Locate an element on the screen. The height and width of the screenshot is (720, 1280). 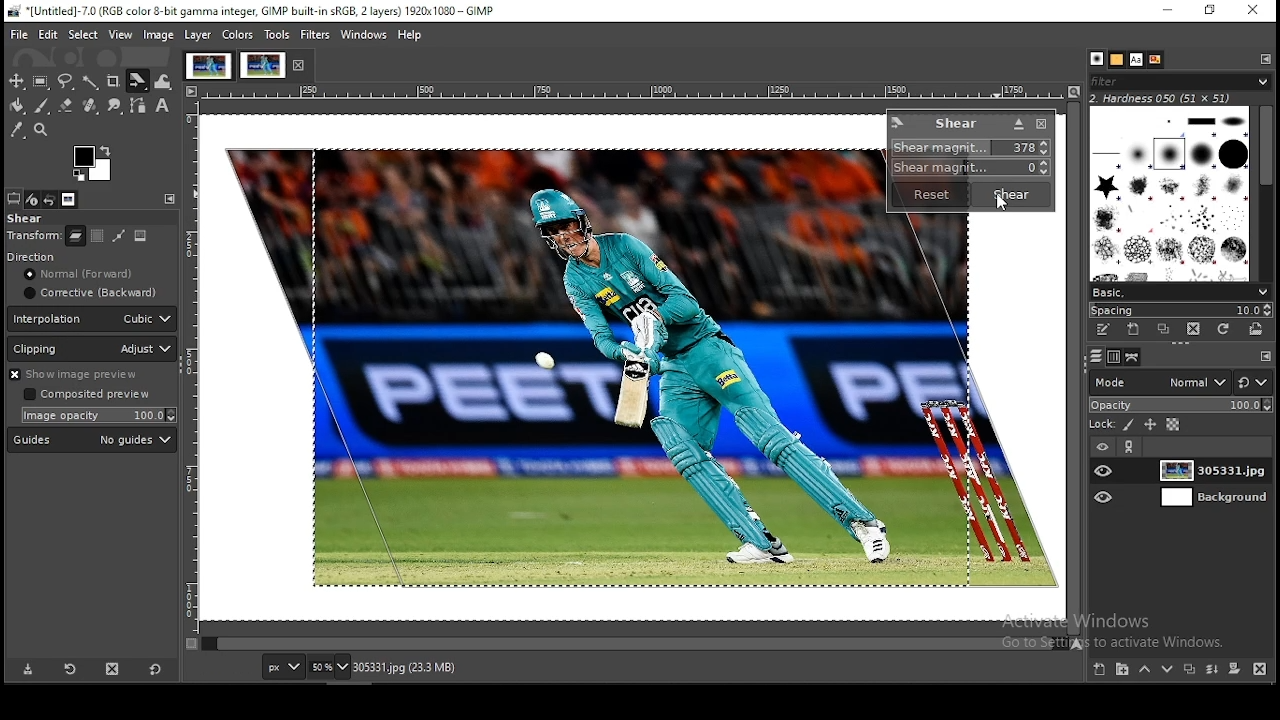
document history is located at coordinates (1153, 60).